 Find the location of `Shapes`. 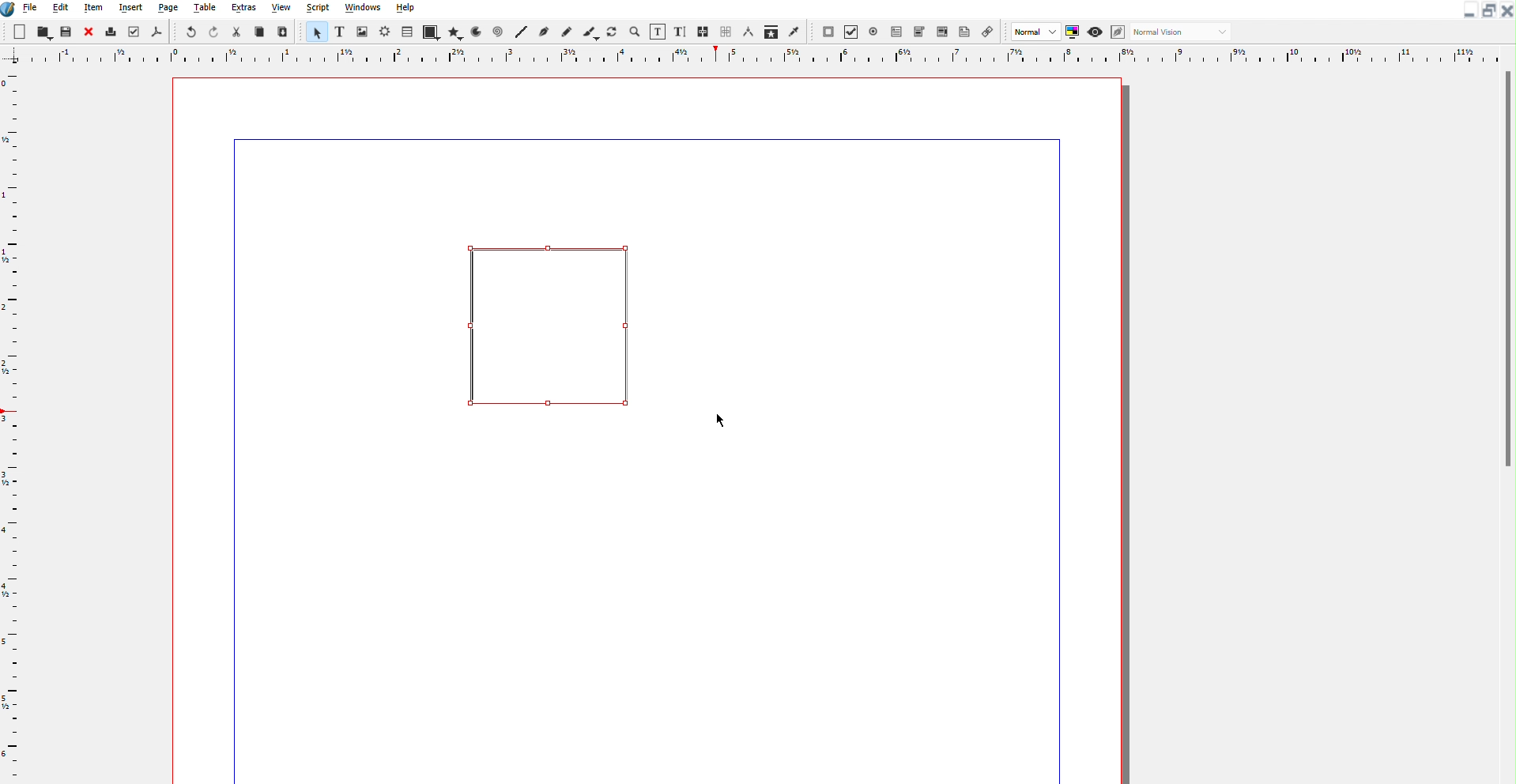

Shapes is located at coordinates (431, 31).